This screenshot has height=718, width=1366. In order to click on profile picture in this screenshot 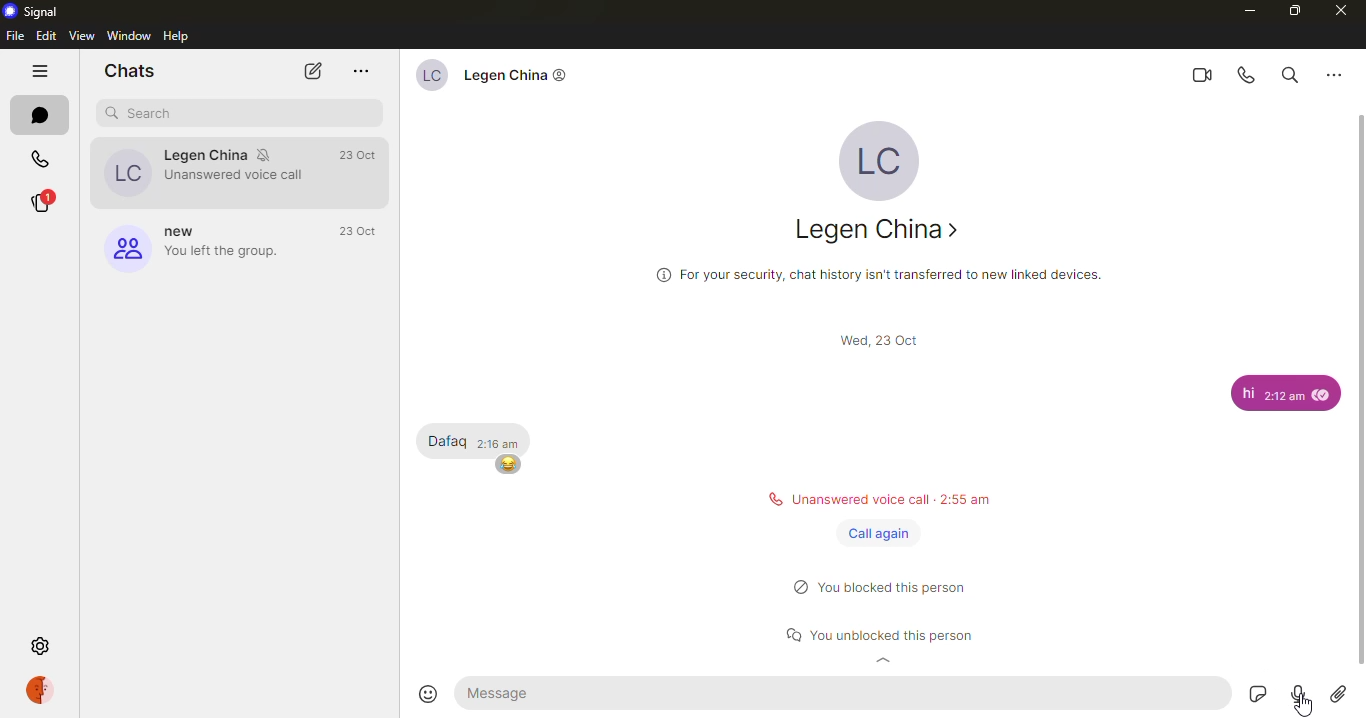, I will do `click(126, 175)`.